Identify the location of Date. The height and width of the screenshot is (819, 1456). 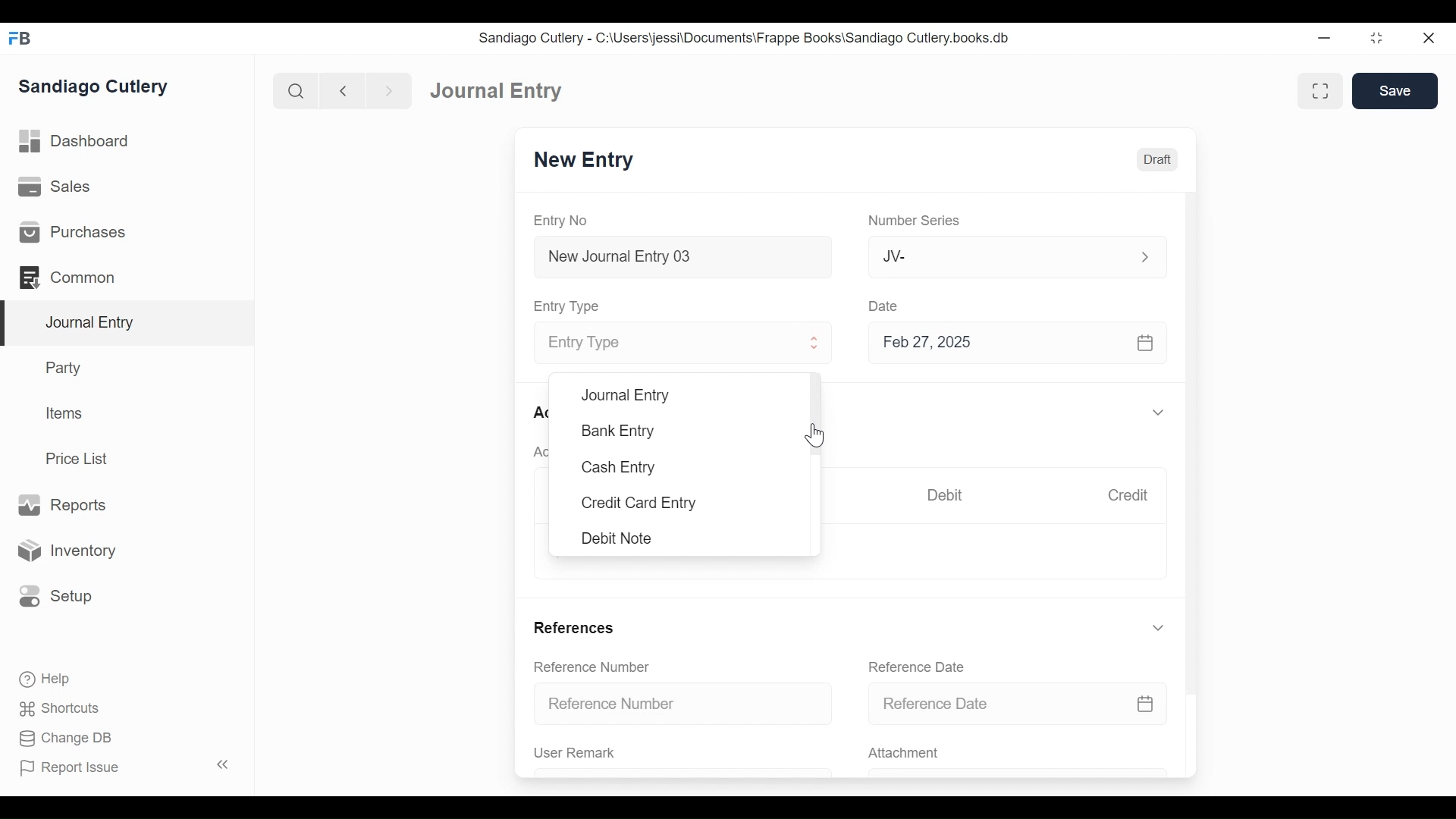
(886, 306).